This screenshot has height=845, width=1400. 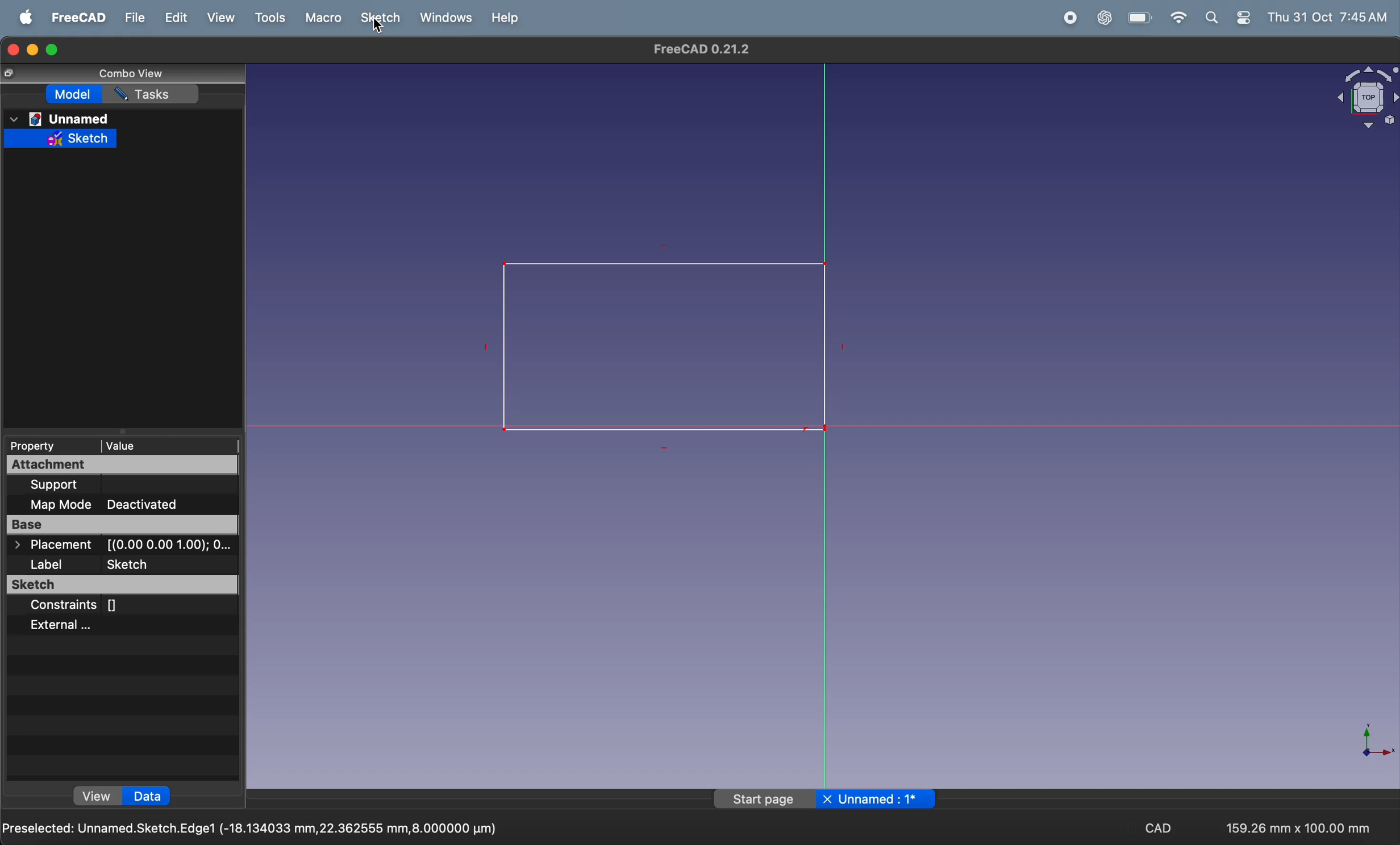 I want to click on constraints, so click(x=119, y=606).